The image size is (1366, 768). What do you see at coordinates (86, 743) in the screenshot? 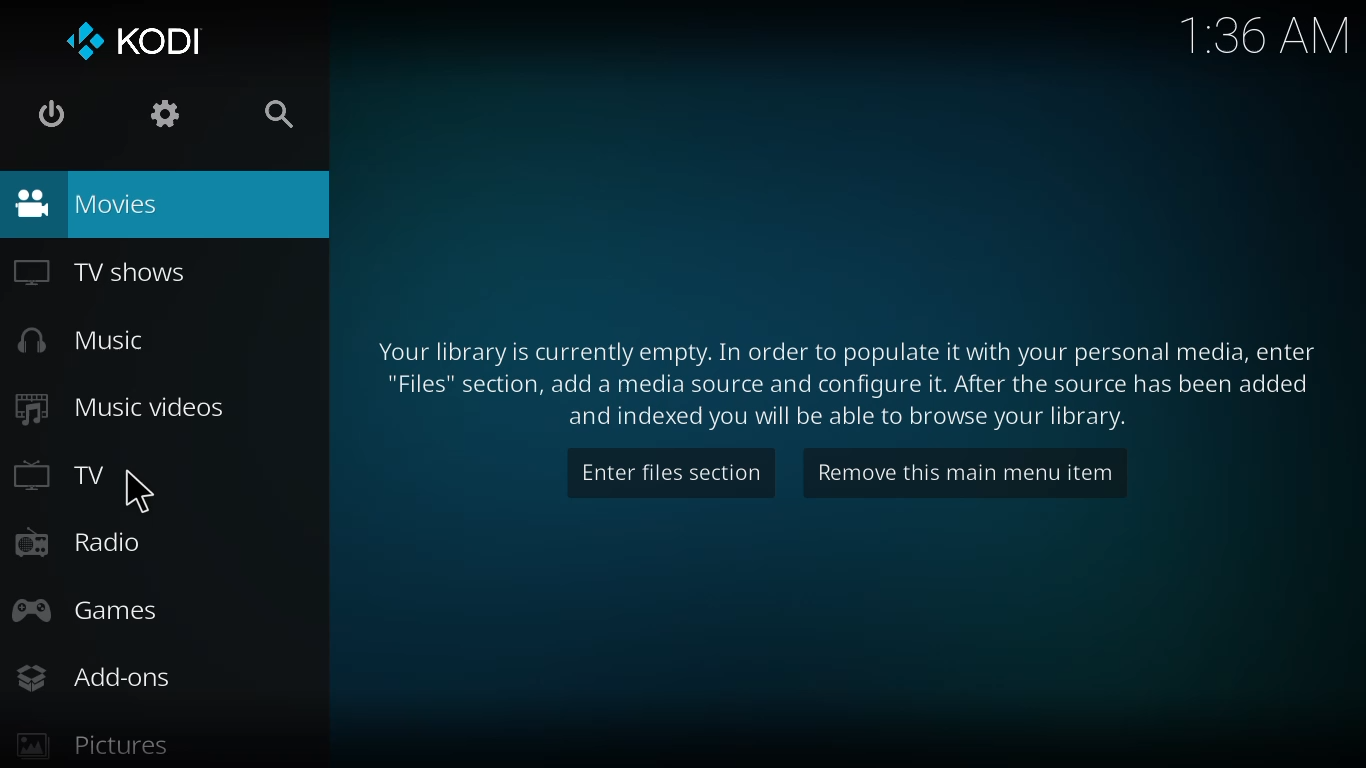
I see `pictures` at bounding box center [86, 743].